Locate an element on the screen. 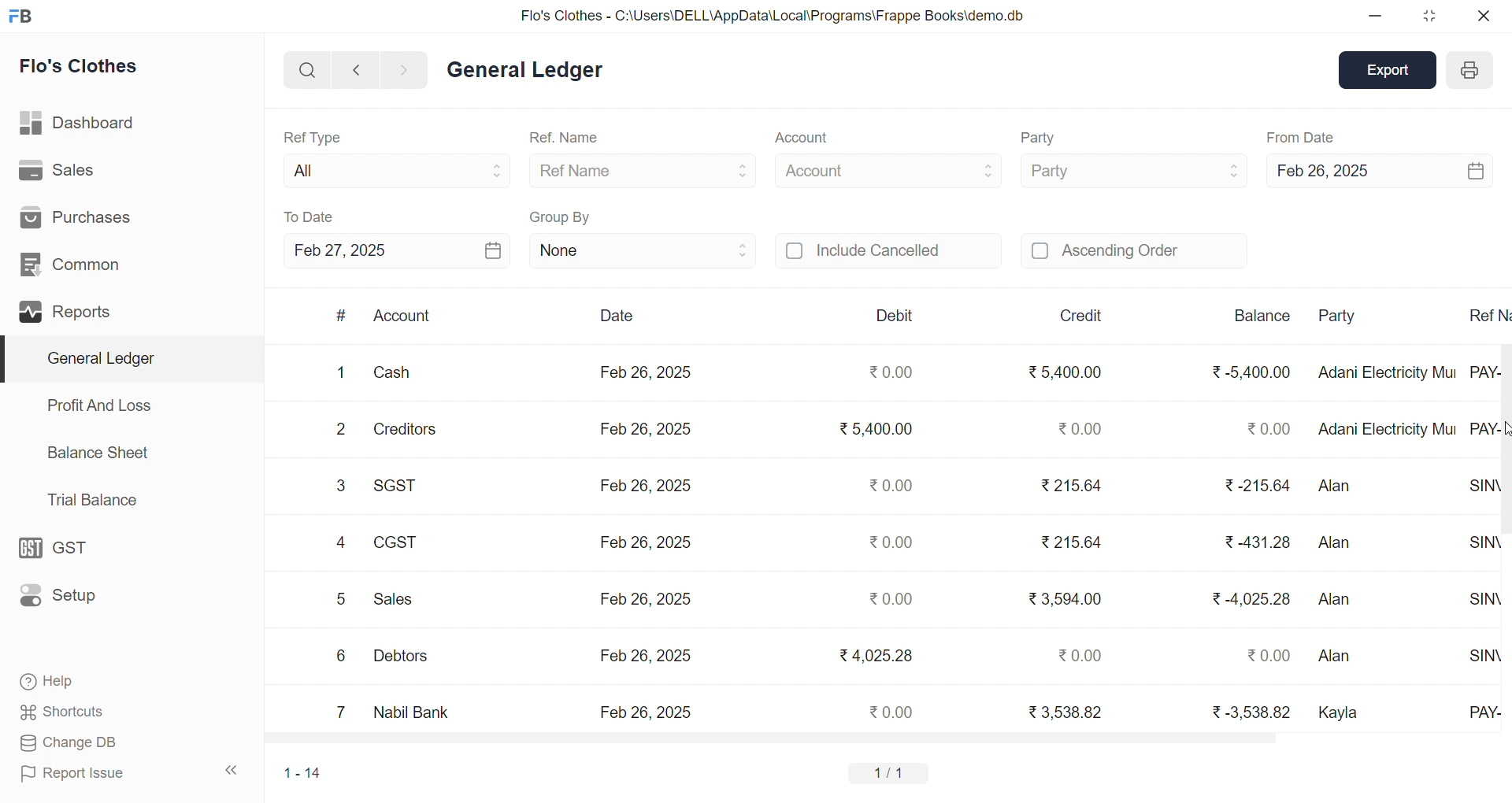 The image size is (1512, 803). Account is located at coordinates (403, 317).